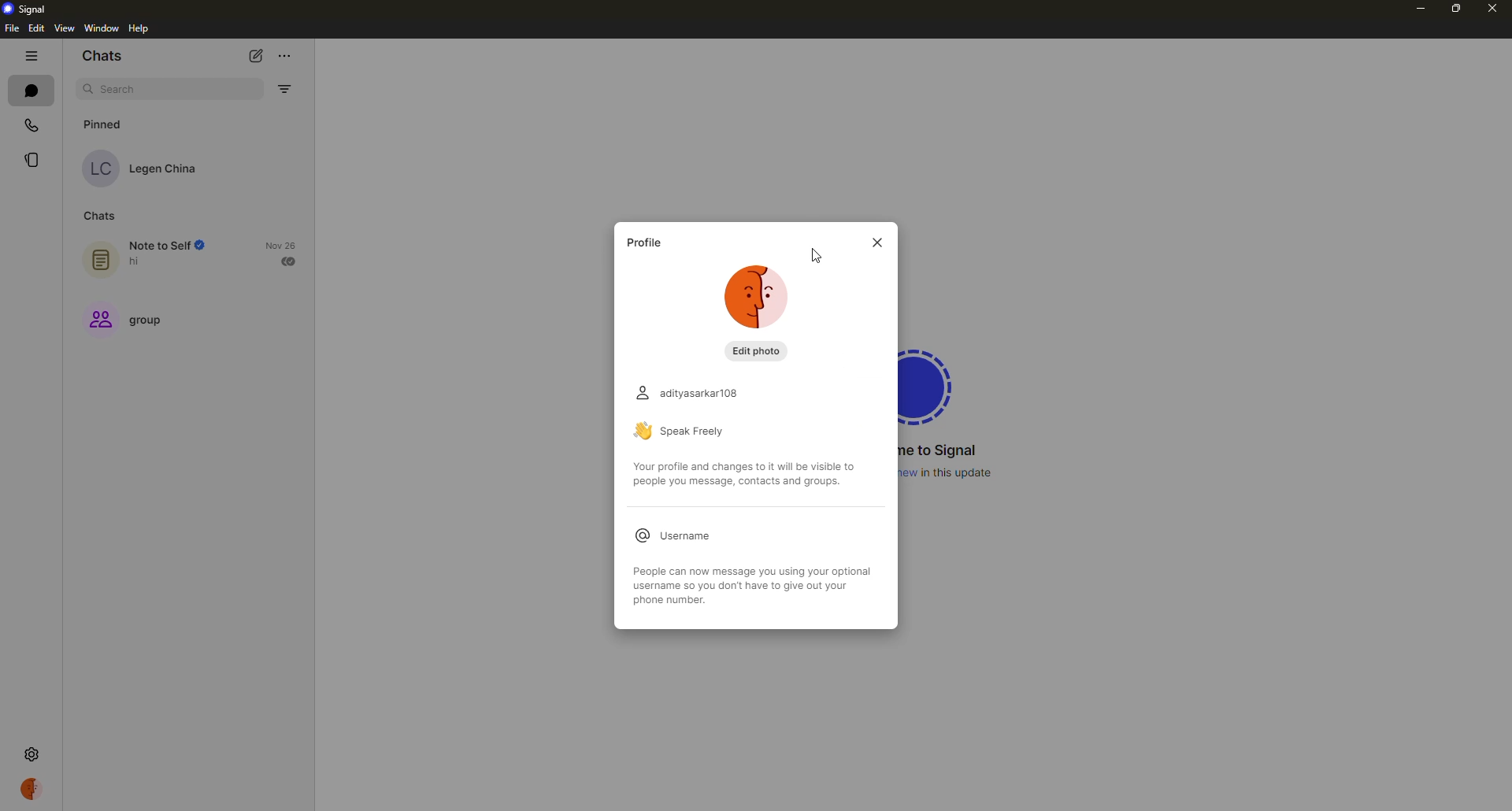  I want to click on contact, so click(144, 168).